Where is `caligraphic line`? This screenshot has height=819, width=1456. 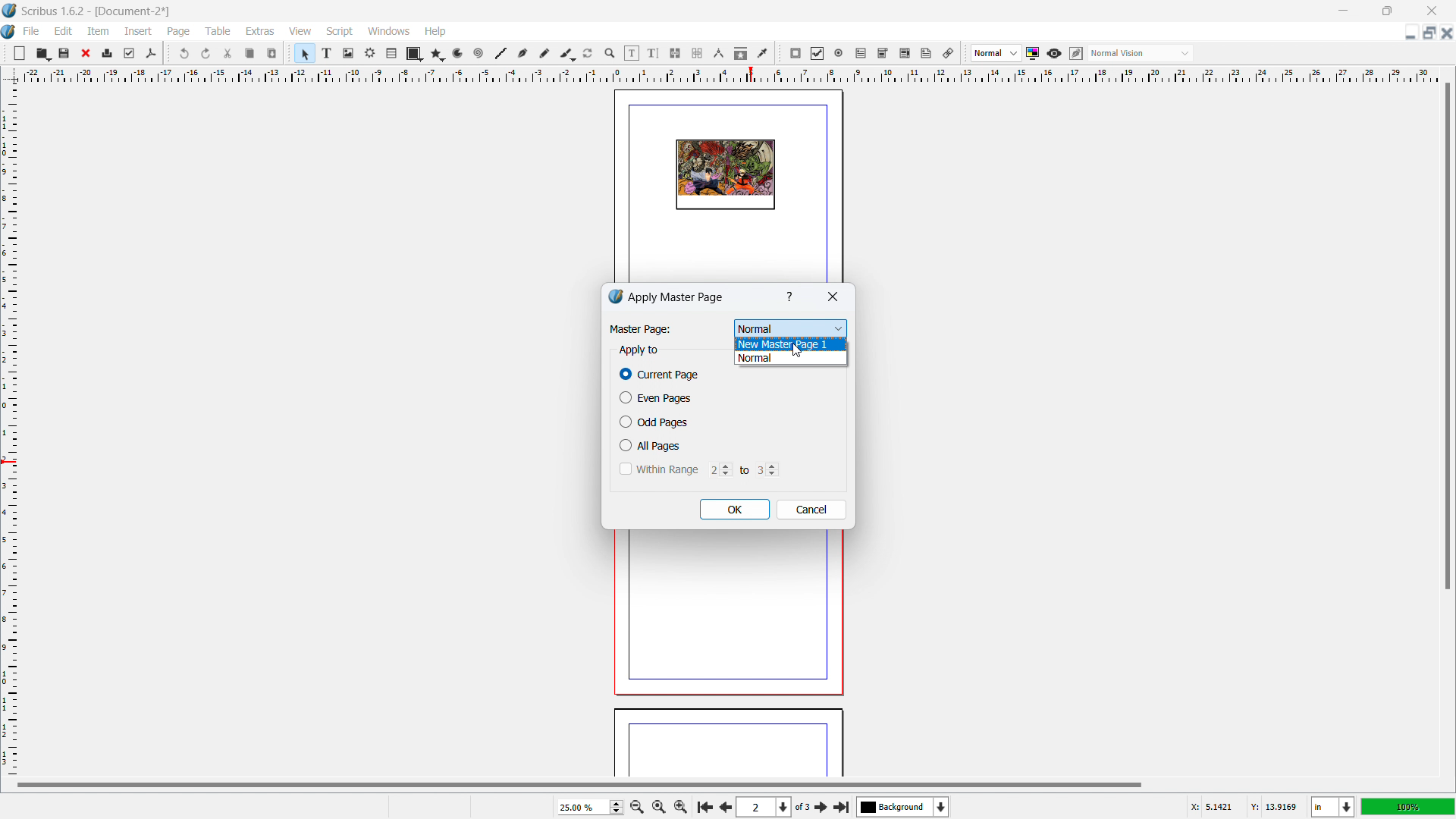
caligraphic line is located at coordinates (567, 54).